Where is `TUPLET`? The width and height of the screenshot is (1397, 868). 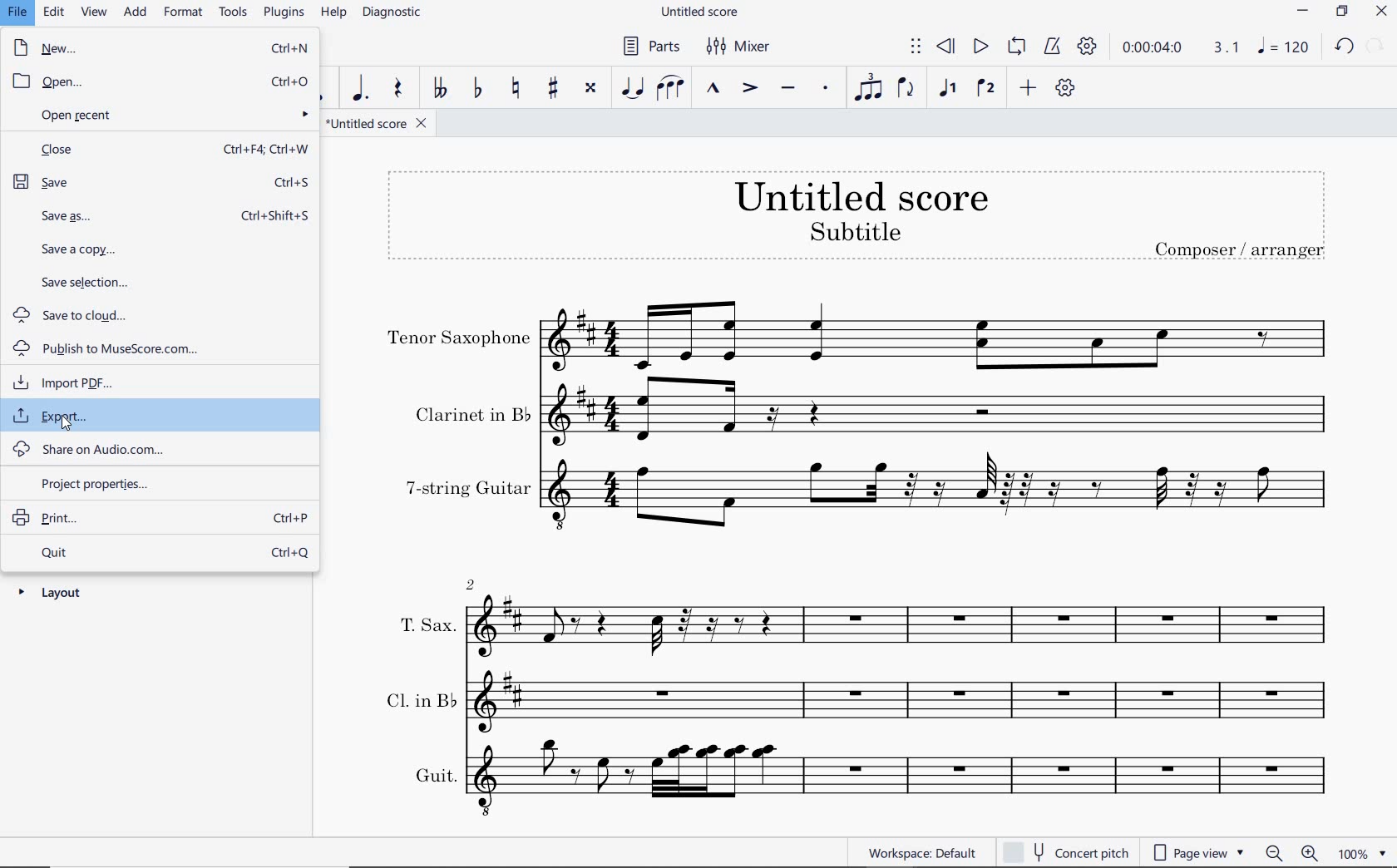
TUPLET is located at coordinates (869, 87).